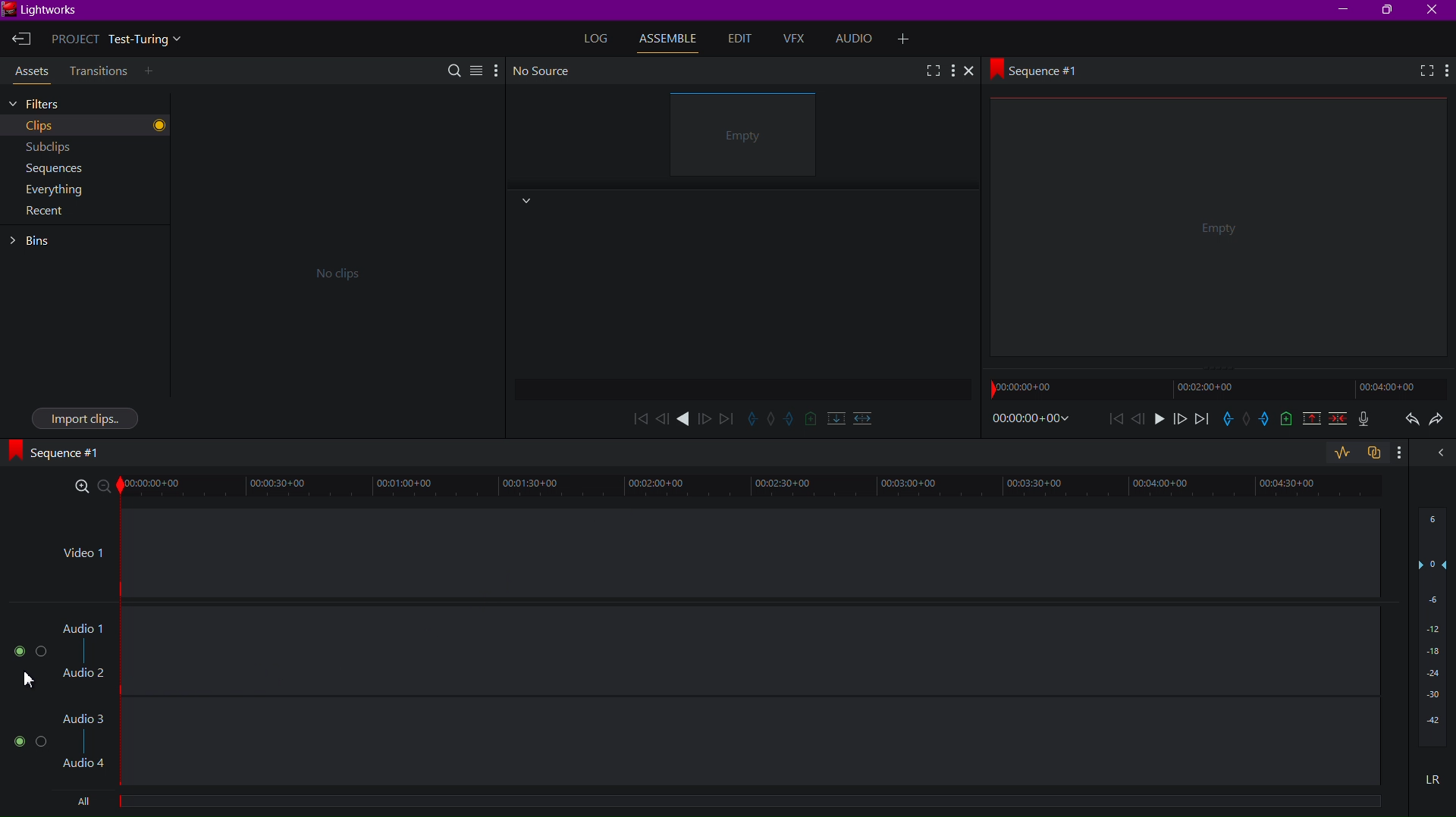 This screenshot has width=1456, height=817. Describe the element at coordinates (758, 743) in the screenshot. I see `Audio Track 2` at that location.